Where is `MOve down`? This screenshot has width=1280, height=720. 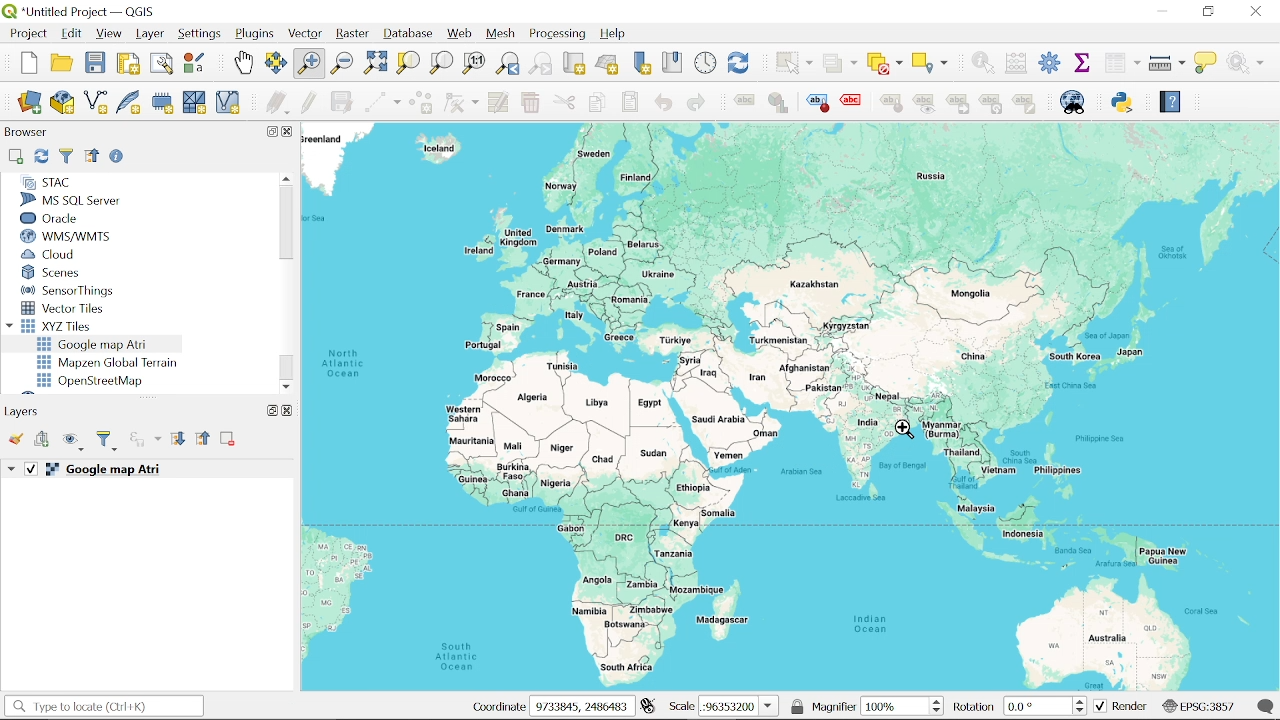
MOve down is located at coordinates (287, 384).